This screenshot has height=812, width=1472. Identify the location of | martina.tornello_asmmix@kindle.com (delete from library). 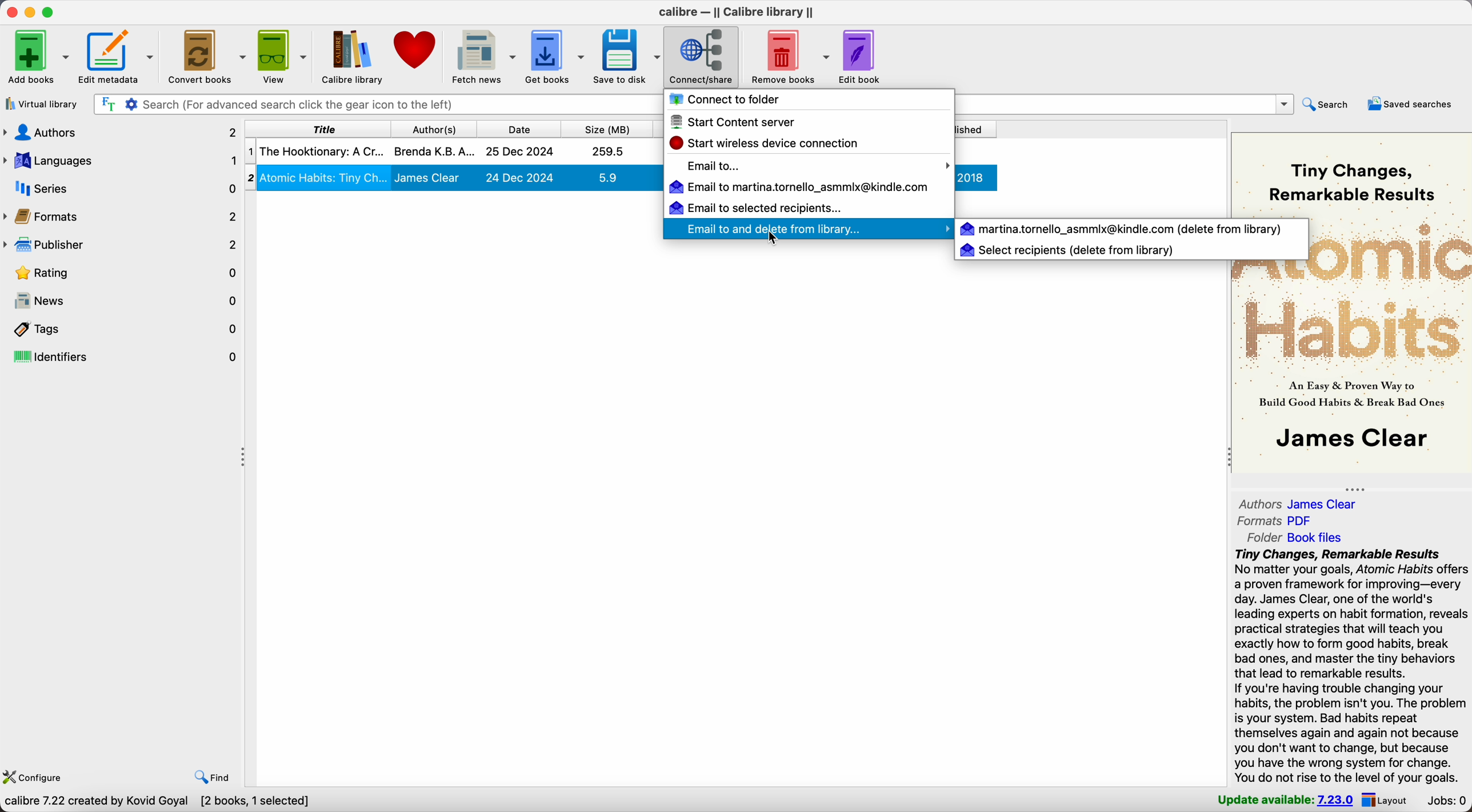
(1123, 228).